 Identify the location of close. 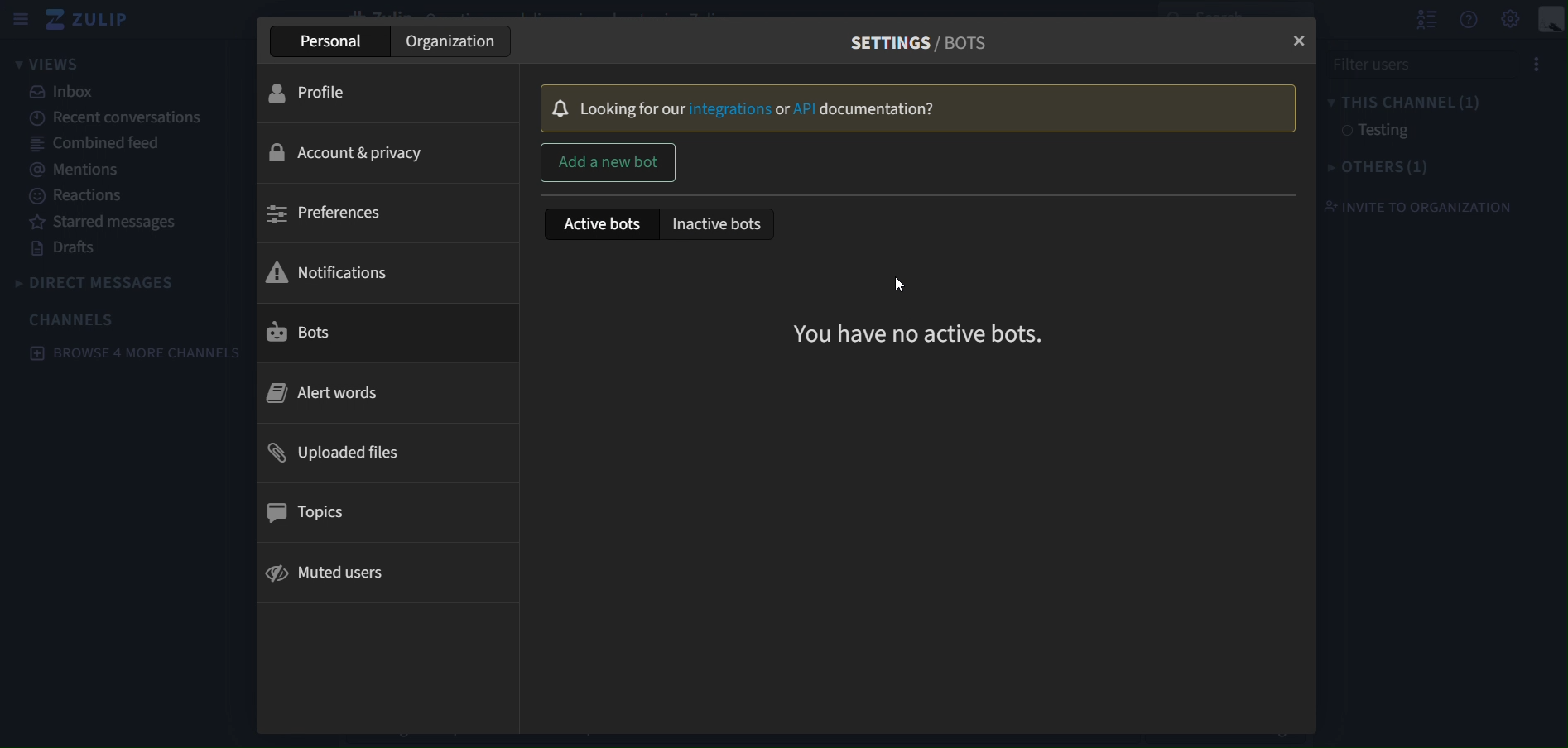
(1297, 38).